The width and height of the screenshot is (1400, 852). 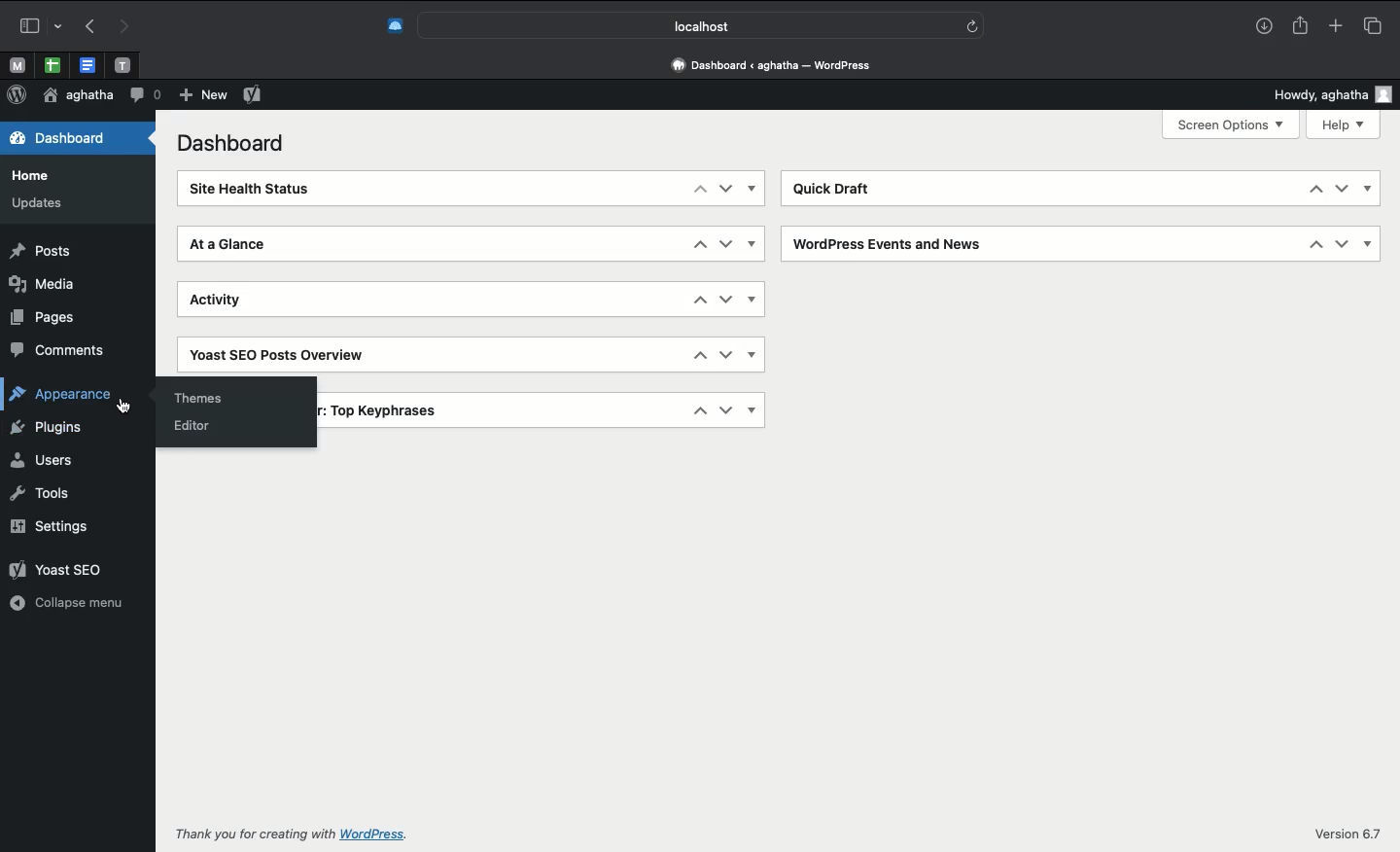 I want to click on Wordpress, so click(x=17, y=95).